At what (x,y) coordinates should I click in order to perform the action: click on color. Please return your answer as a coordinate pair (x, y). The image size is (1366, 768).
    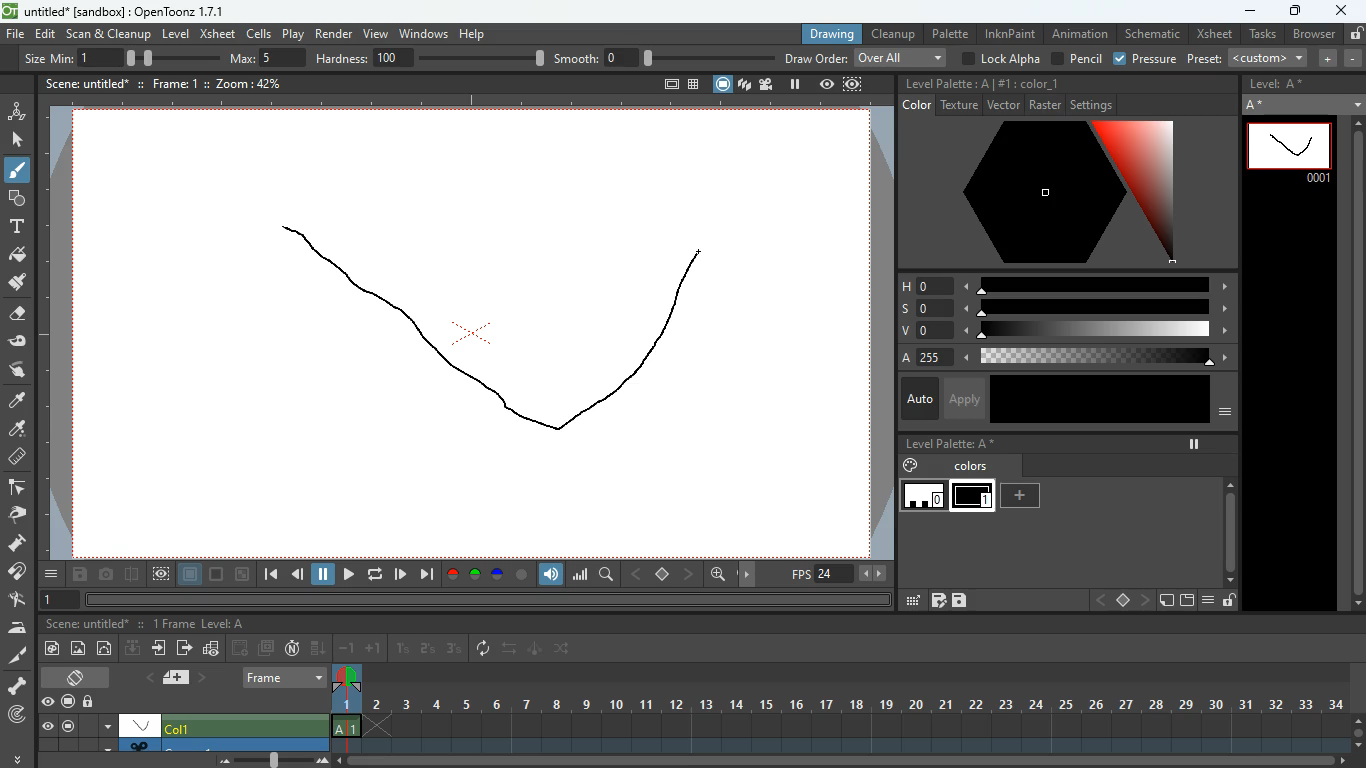
    Looking at the image, I should click on (1038, 82).